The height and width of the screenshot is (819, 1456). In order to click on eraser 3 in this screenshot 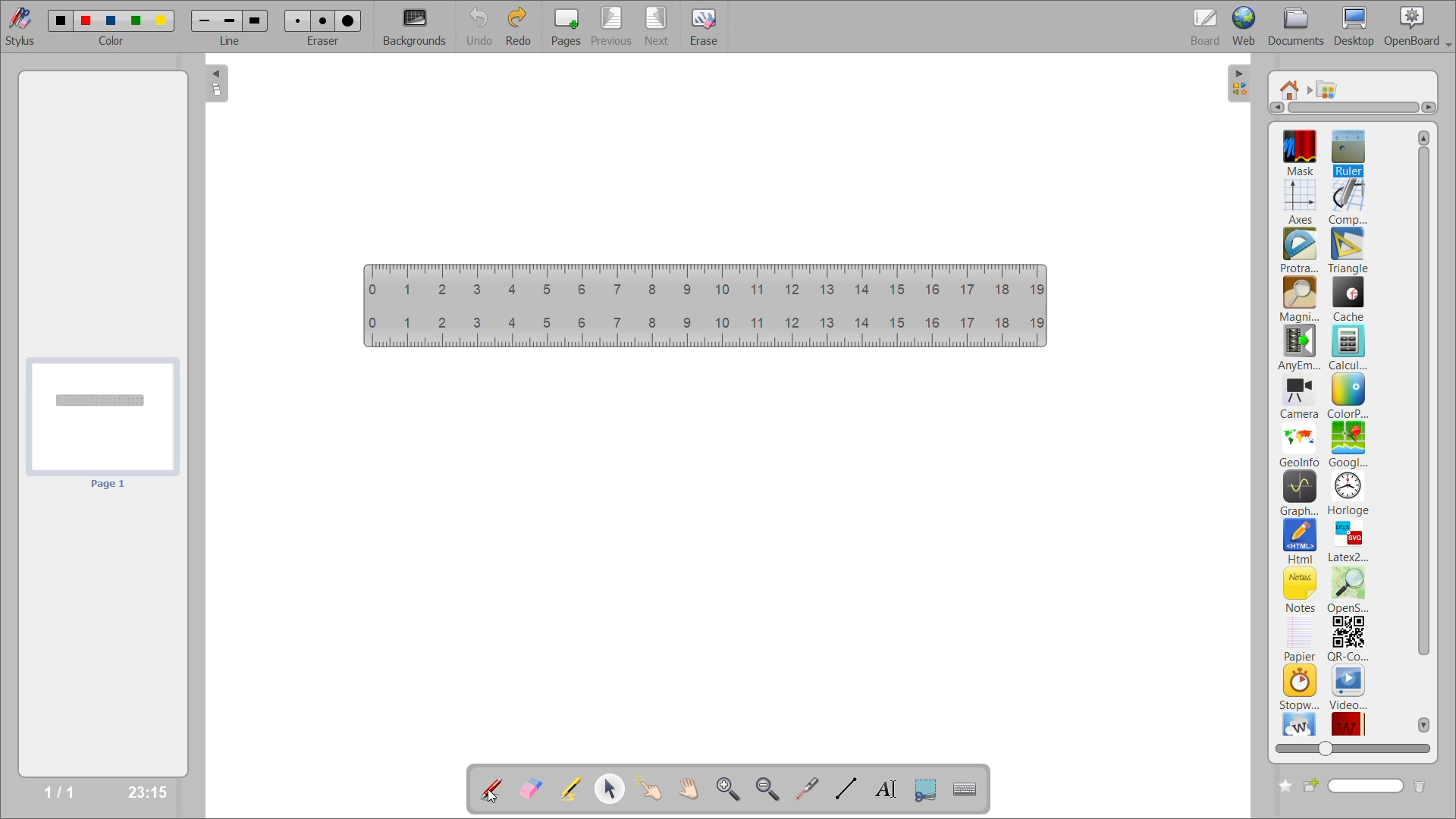, I will do `click(348, 20)`.